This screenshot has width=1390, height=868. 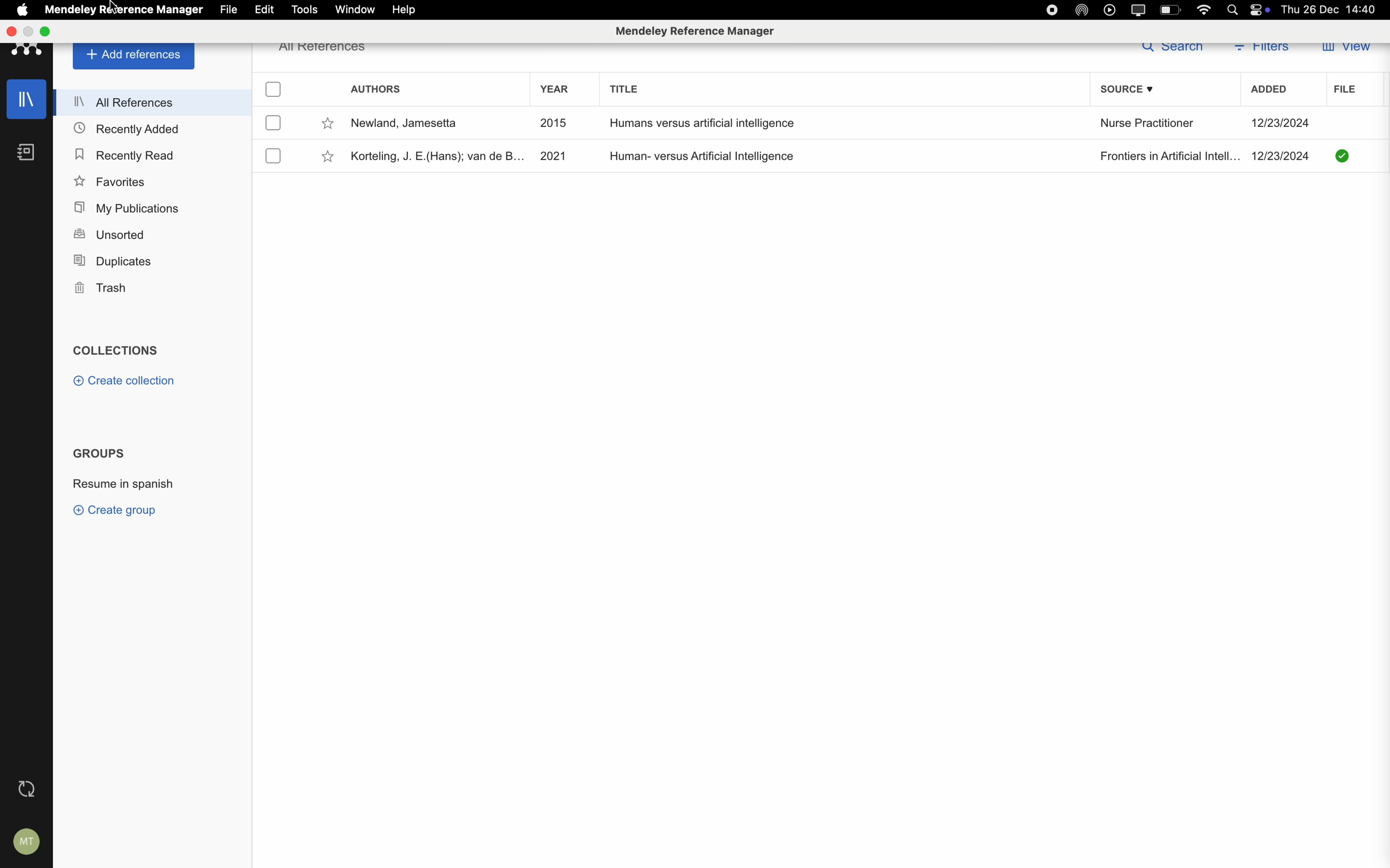 What do you see at coordinates (1281, 123) in the screenshot?
I see `12/23/2024` at bounding box center [1281, 123].